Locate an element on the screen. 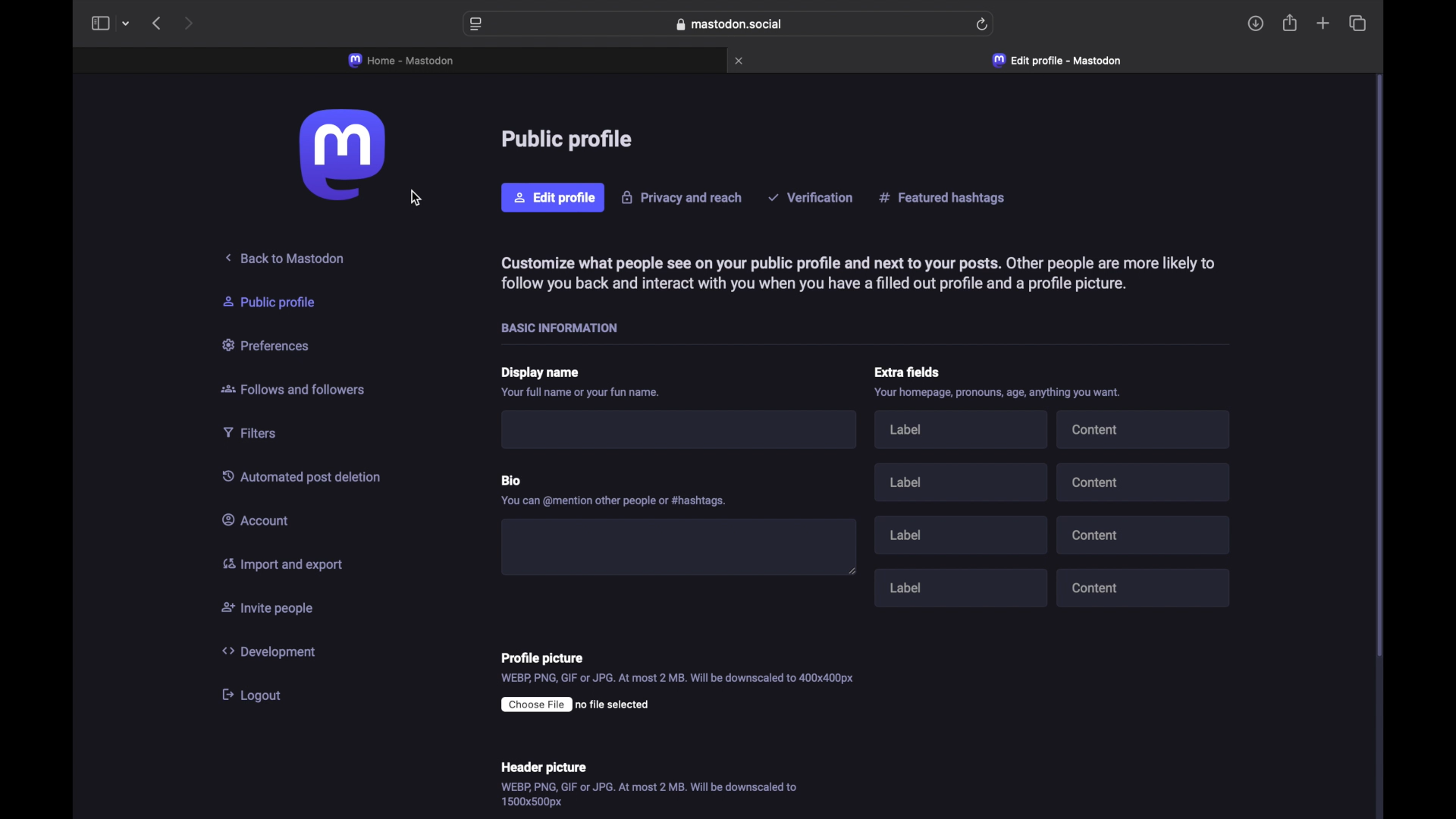 The height and width of the screenshot is (819, 1456). share is located at coordinates (1291, 23).